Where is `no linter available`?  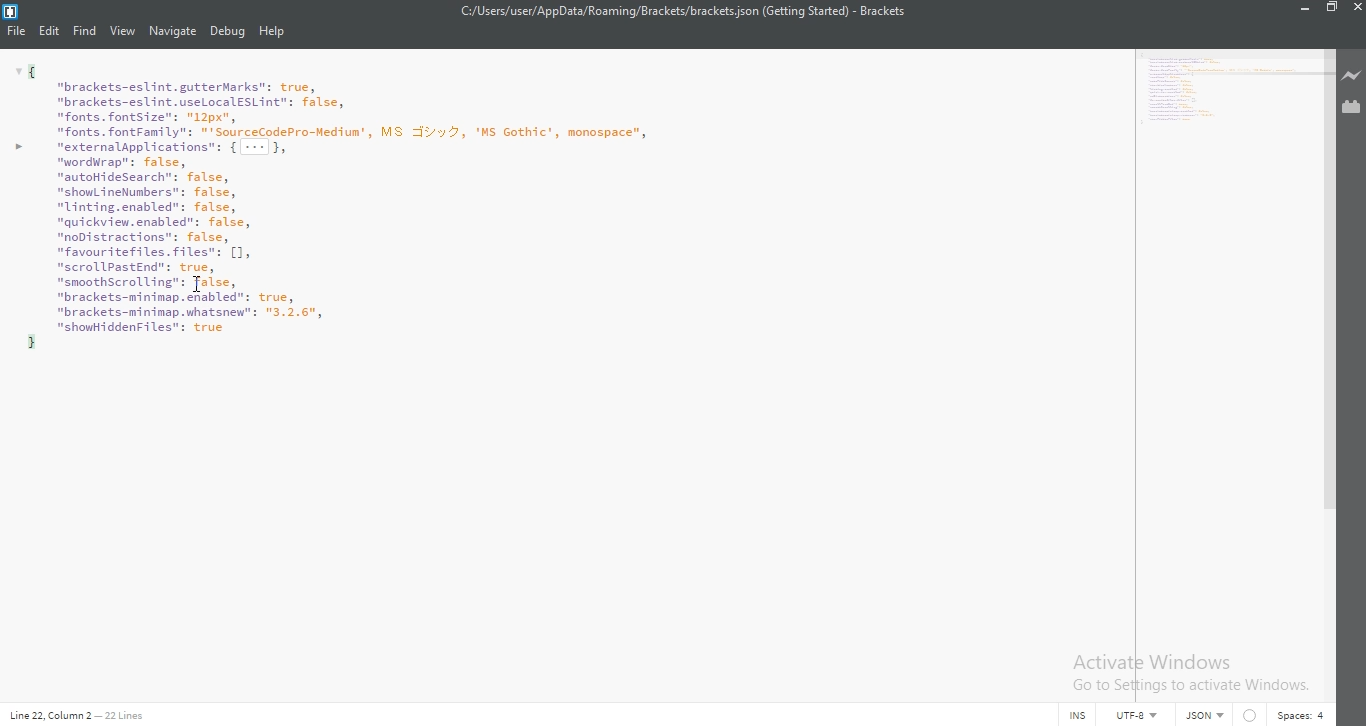 no linter available is located at coordinates (1250, 716).